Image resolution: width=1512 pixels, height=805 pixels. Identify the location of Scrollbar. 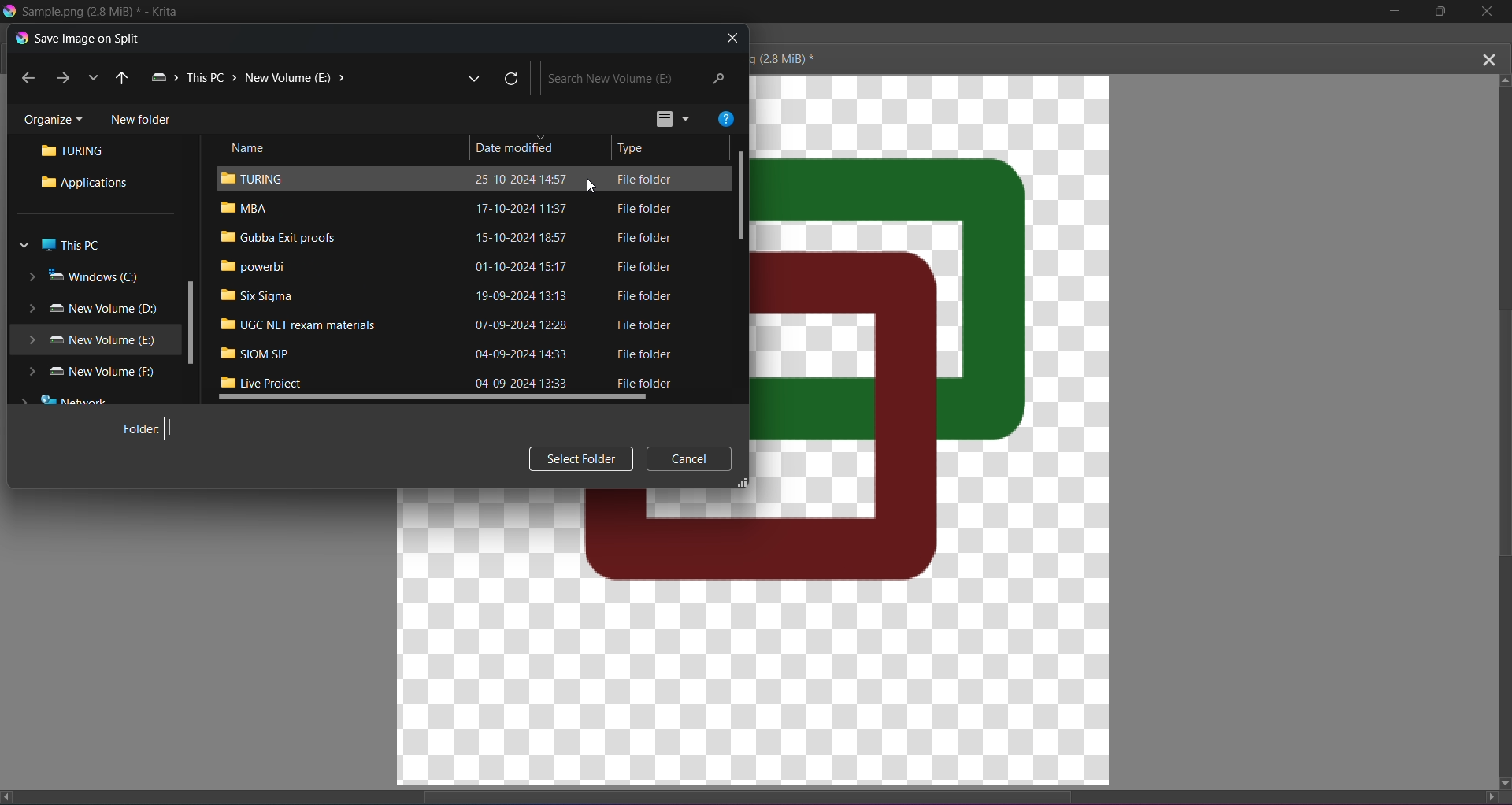
(435, 397).